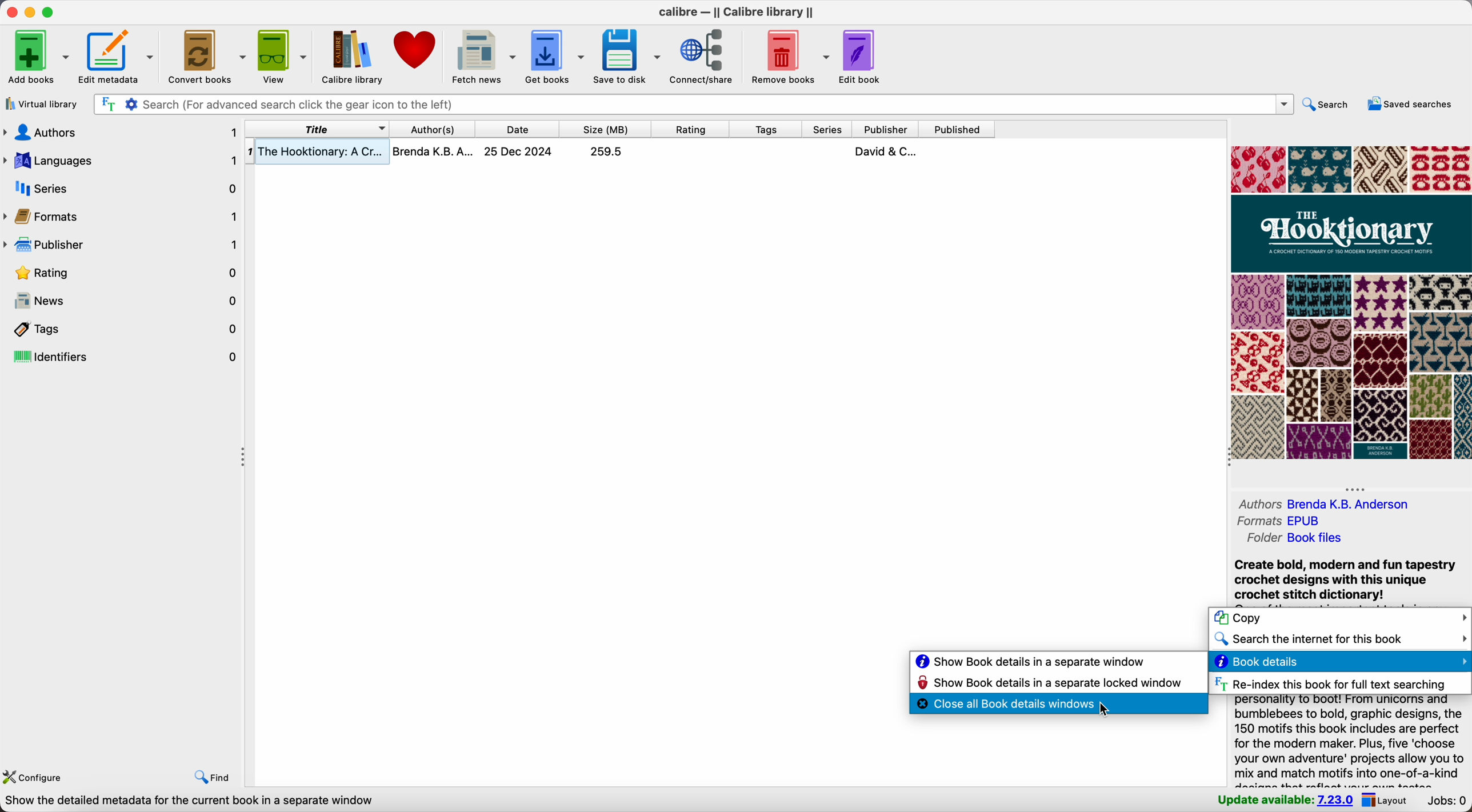 This screenshot has width=1472, height=812. What do you see at coordinates (606, 129) in the screenshot?
I see `size` at bounding box center [606, 129].